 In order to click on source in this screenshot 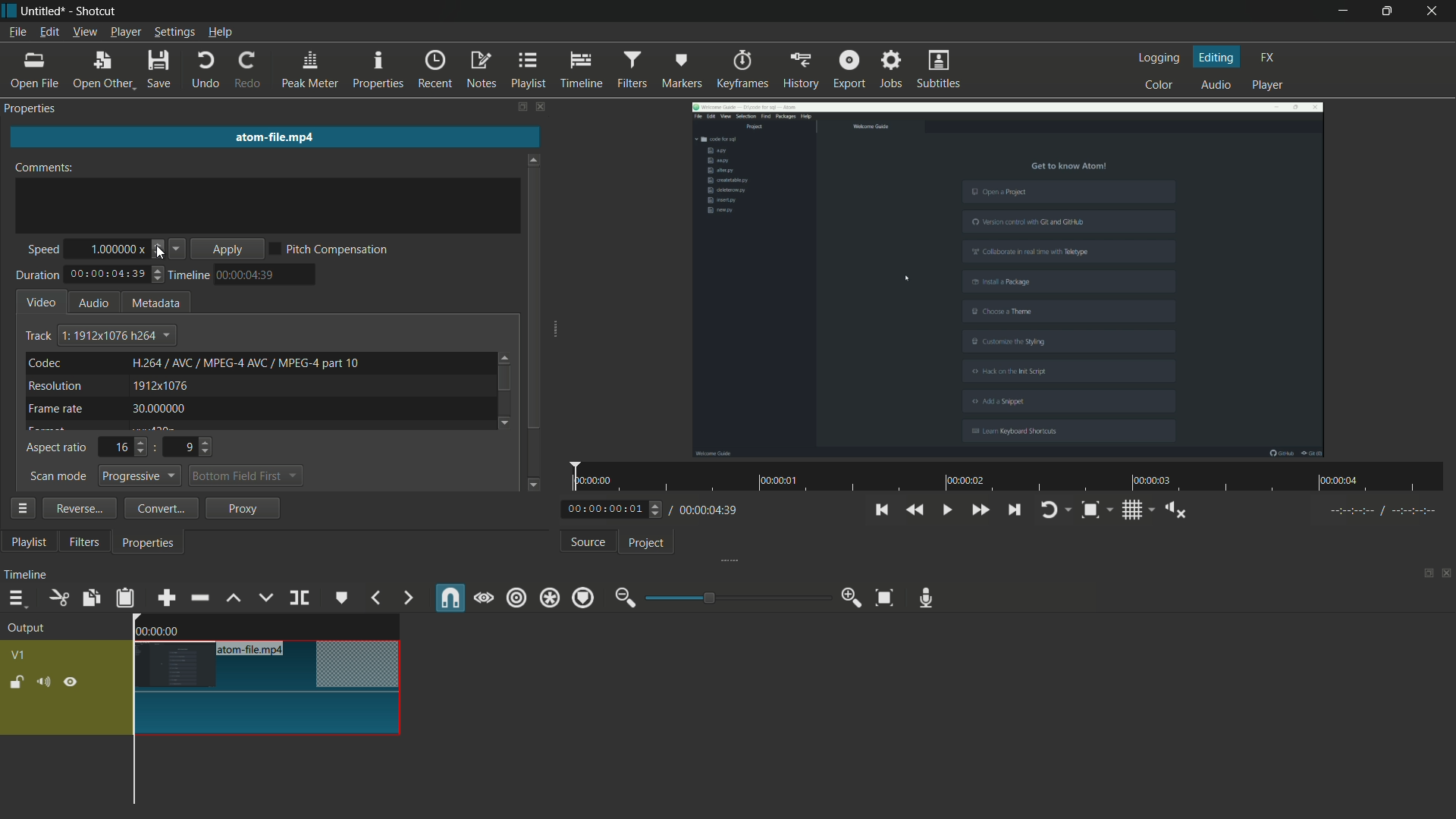, I will do `click(589, 541)`.